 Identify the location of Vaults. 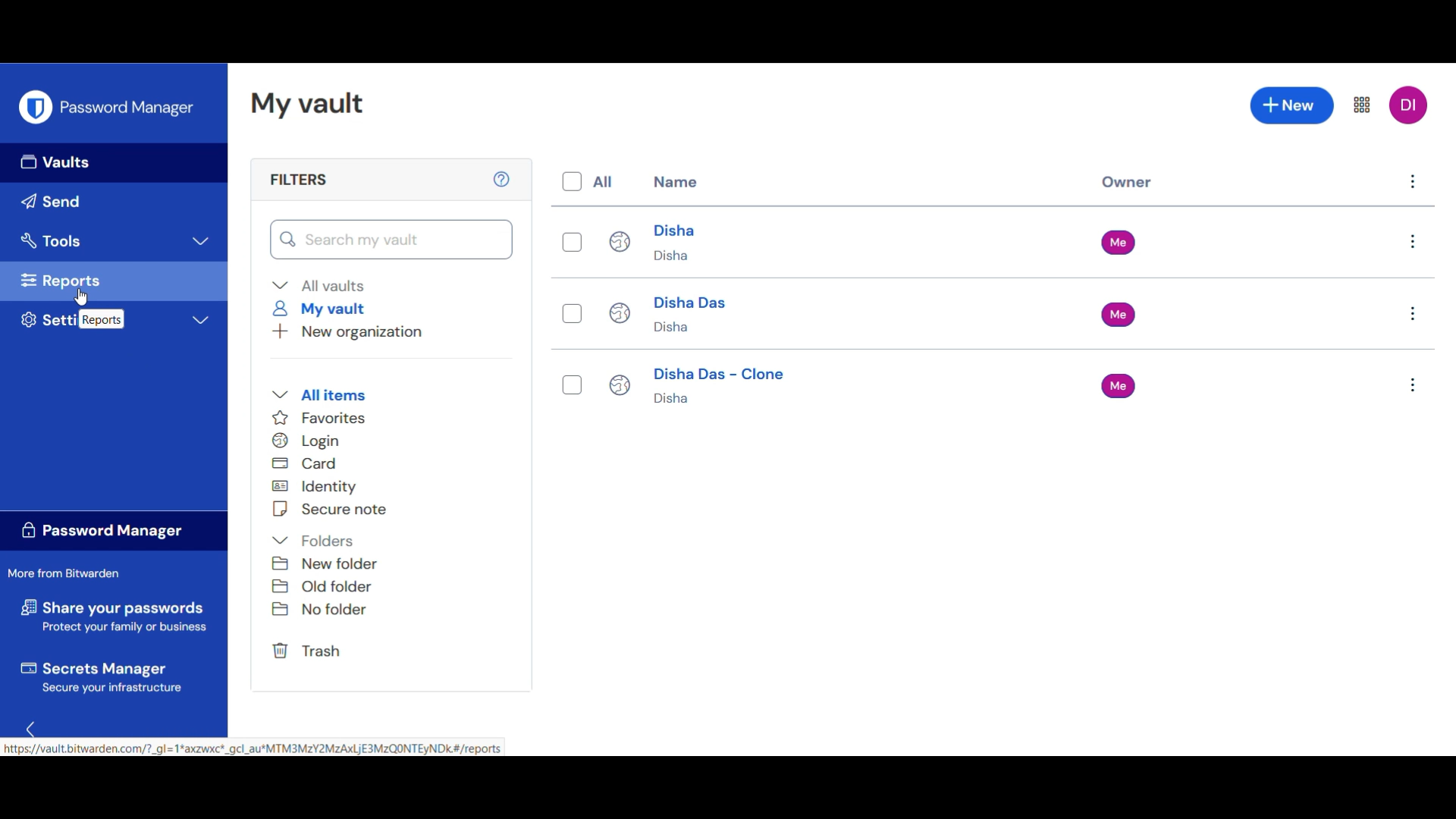
(114, 163).